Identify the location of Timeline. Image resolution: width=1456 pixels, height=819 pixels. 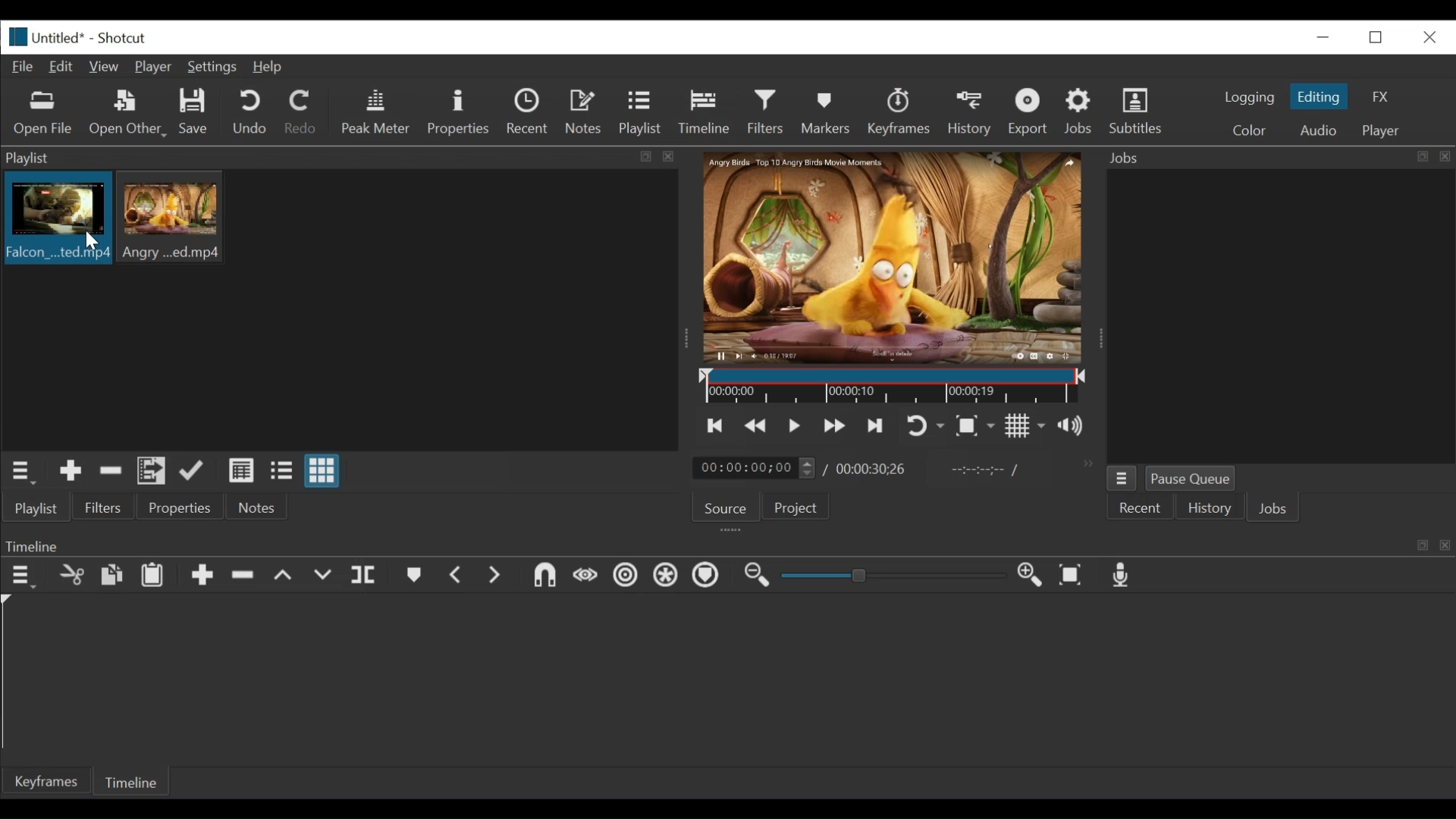
(894, 387).